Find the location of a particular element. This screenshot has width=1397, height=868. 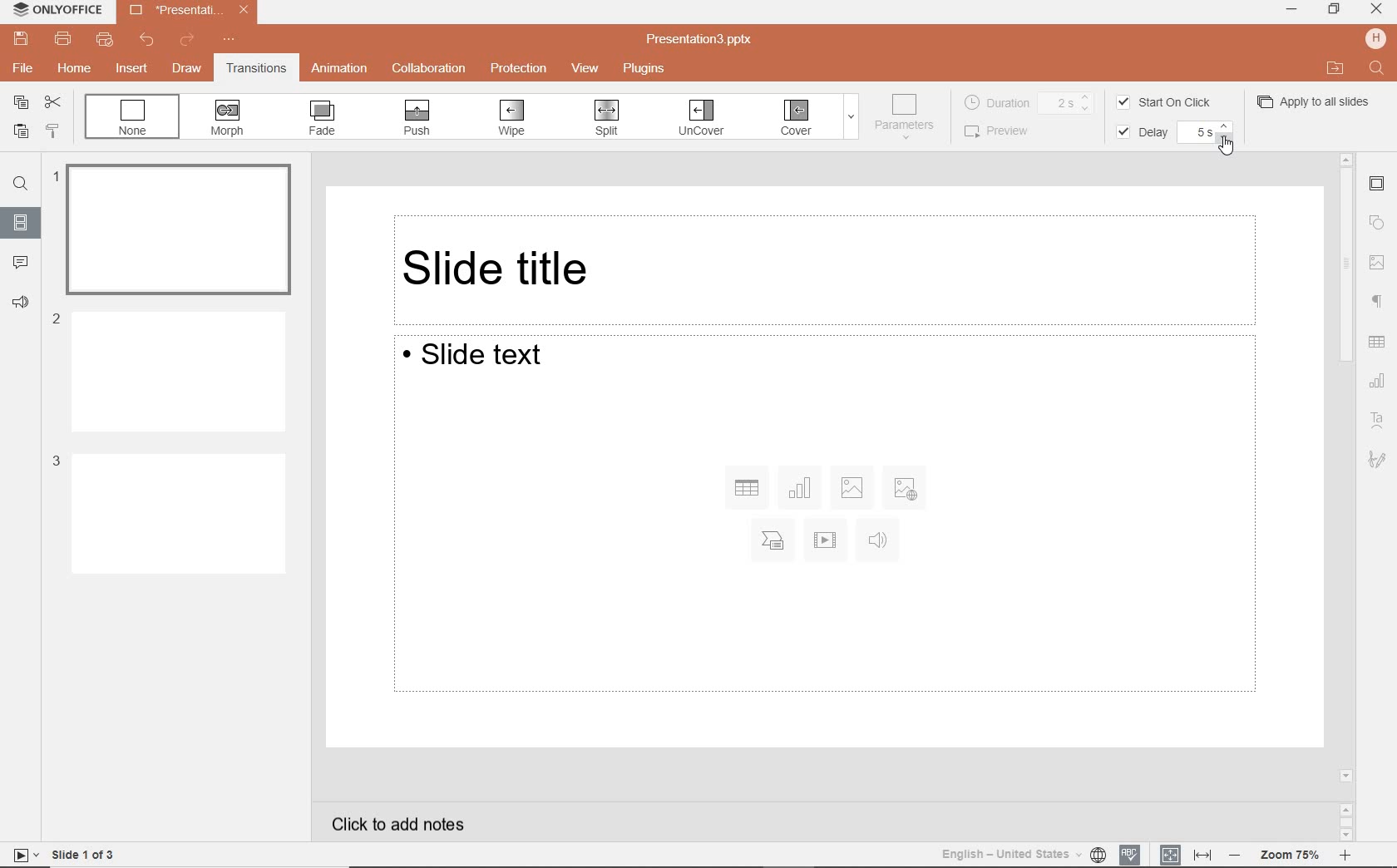

Slide Text is located at coordinates (822, 515).